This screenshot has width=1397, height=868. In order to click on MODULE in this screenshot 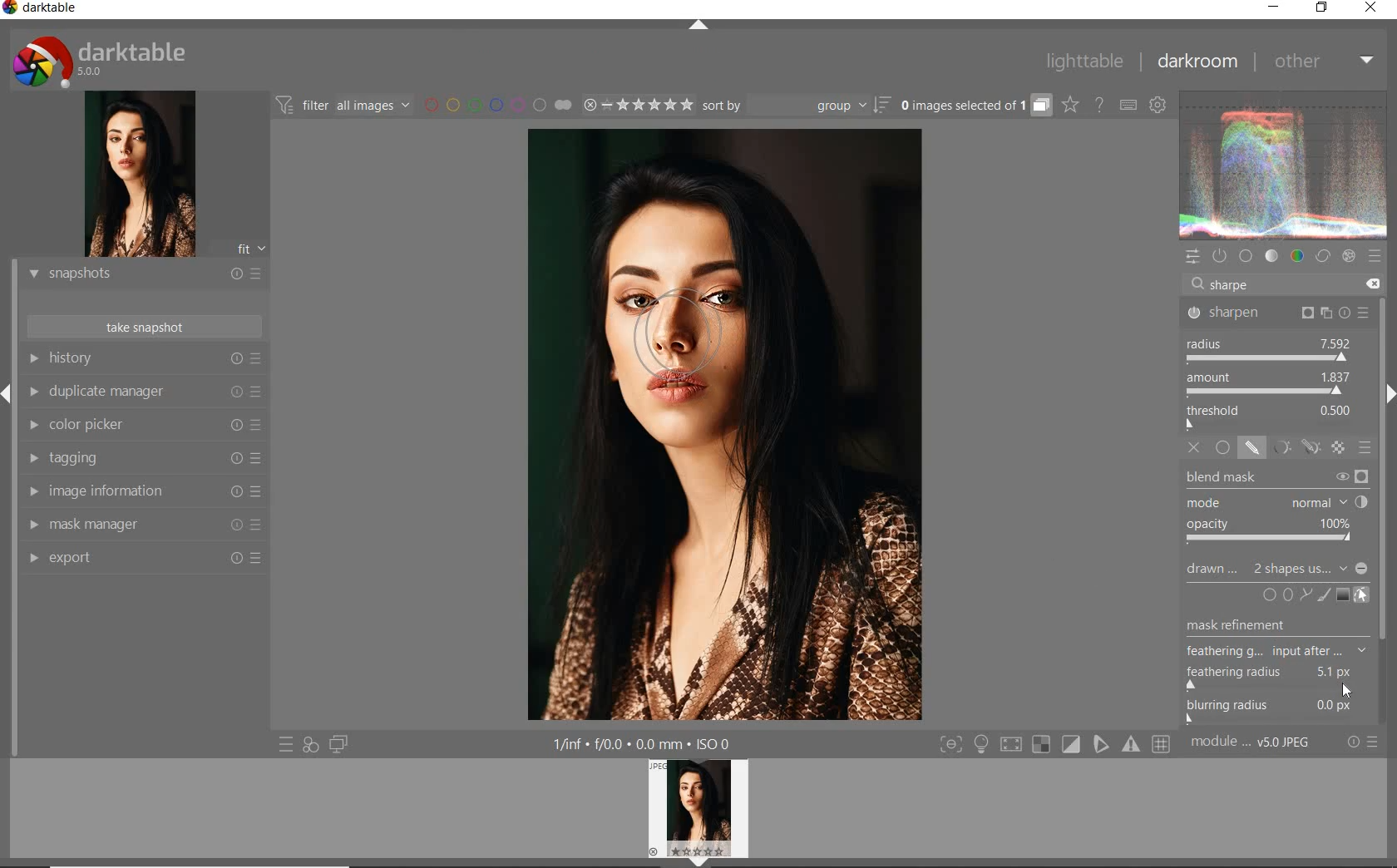, I will do `click(1254, 746)`.